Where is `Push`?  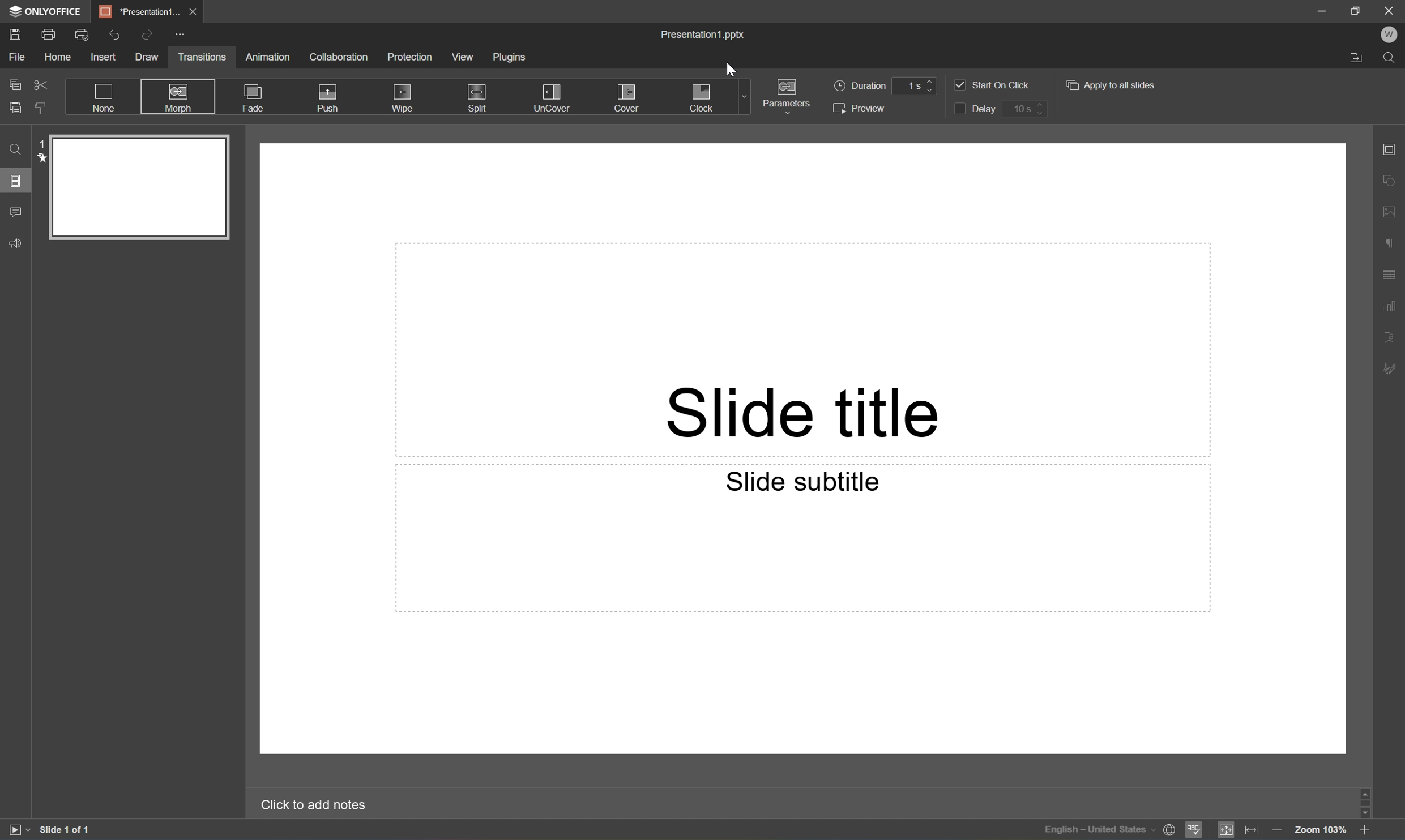 Push is located at coordinates (326, 99).